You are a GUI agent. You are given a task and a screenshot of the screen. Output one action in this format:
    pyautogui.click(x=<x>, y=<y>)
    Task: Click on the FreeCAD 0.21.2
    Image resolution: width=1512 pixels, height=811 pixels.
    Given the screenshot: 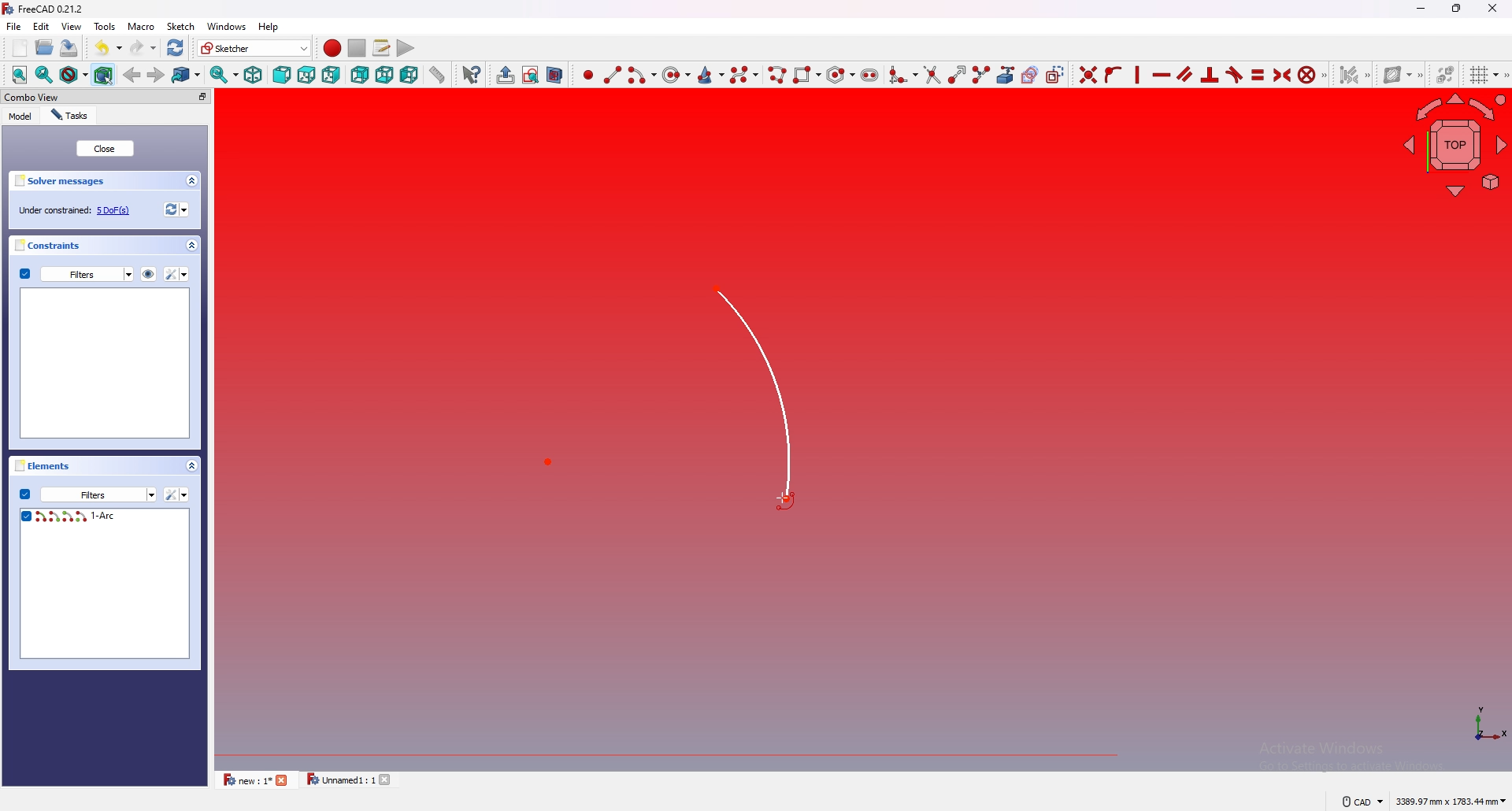 What is the action you would take?
    pyautogui.click(x=45, y=9)
    